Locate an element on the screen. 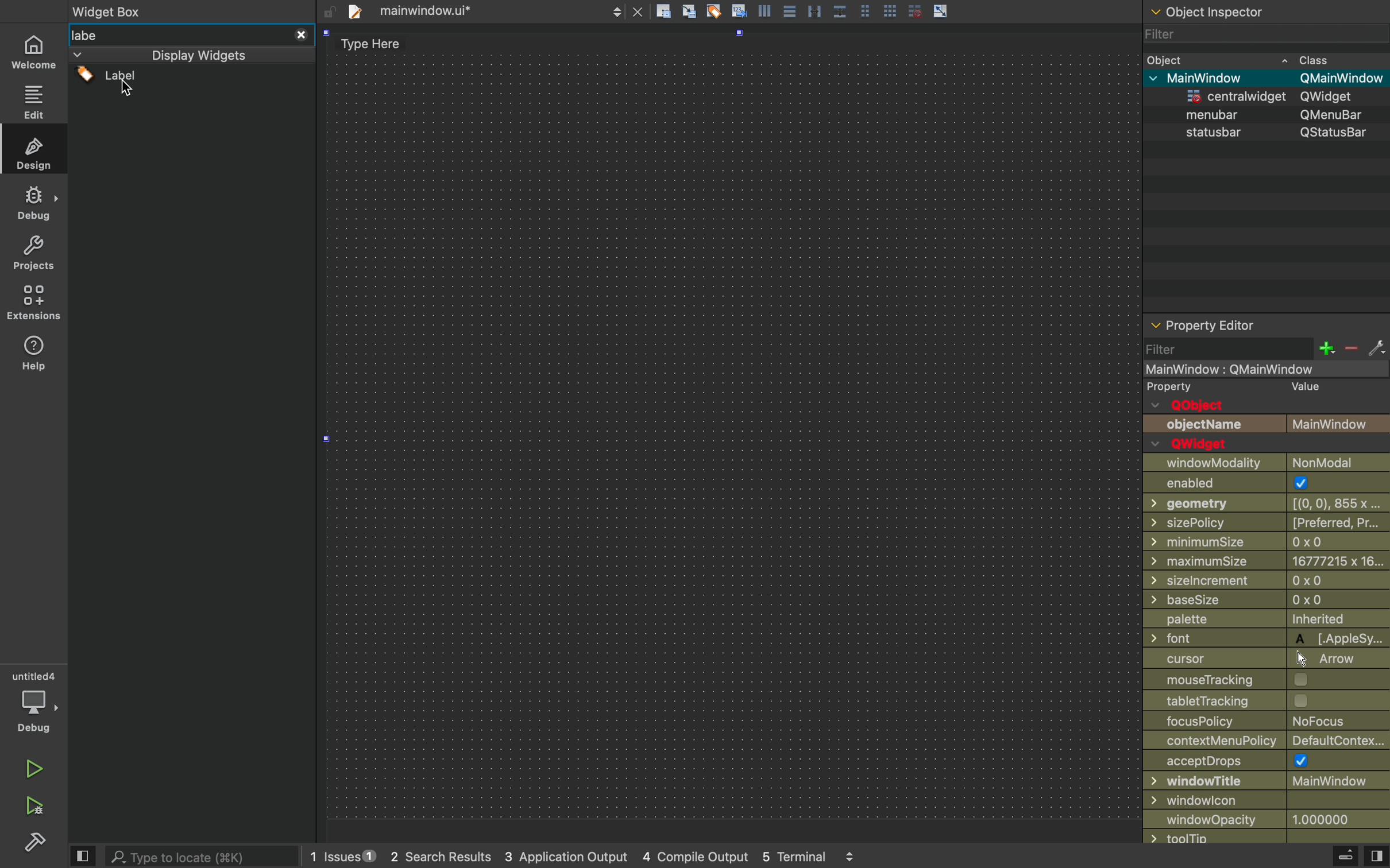 This screenshot has width=1390, height=868. file actions is located at coordinates (663, 13).